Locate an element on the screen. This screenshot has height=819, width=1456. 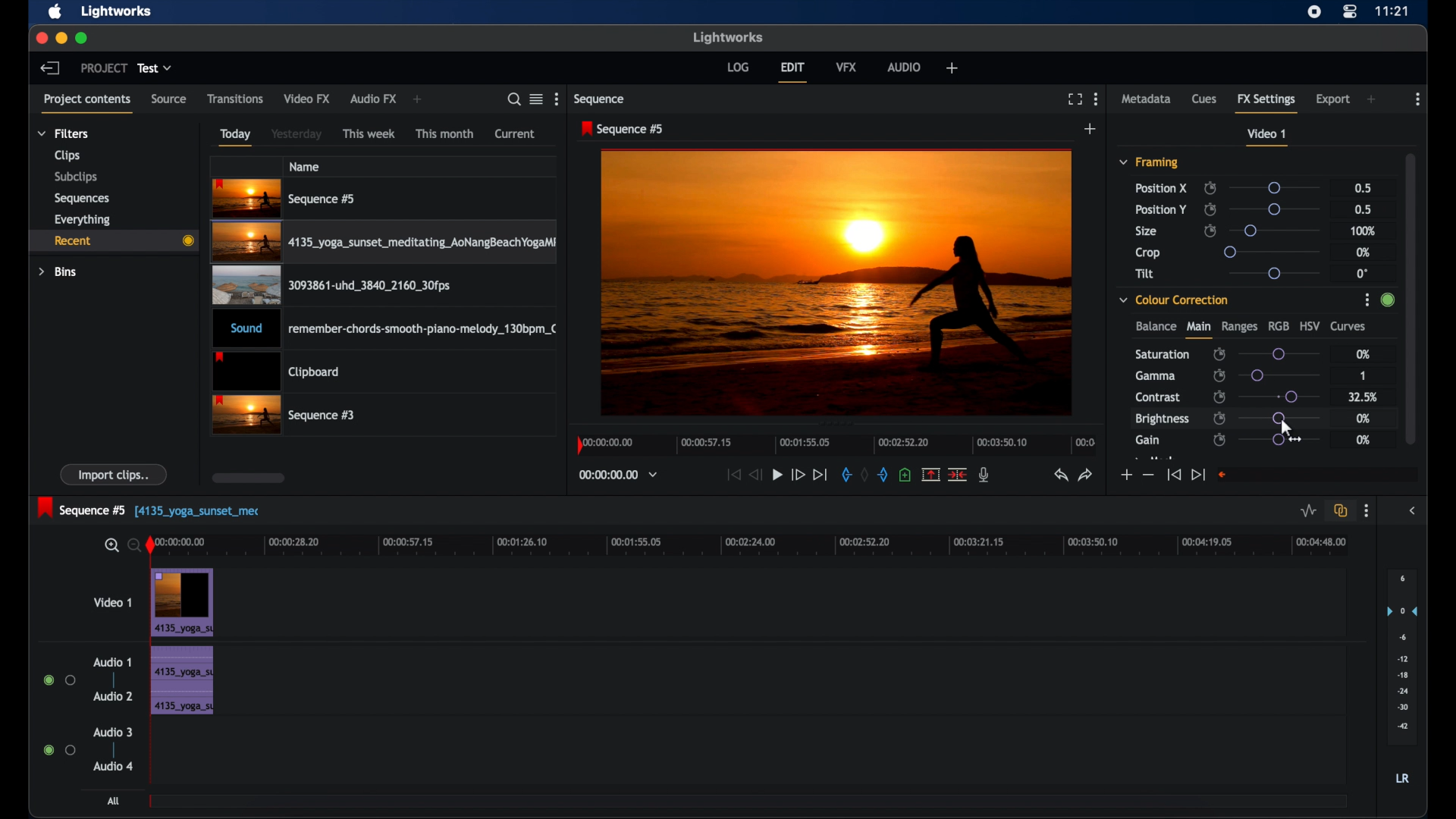
this month is located at coordinates (444, 133).